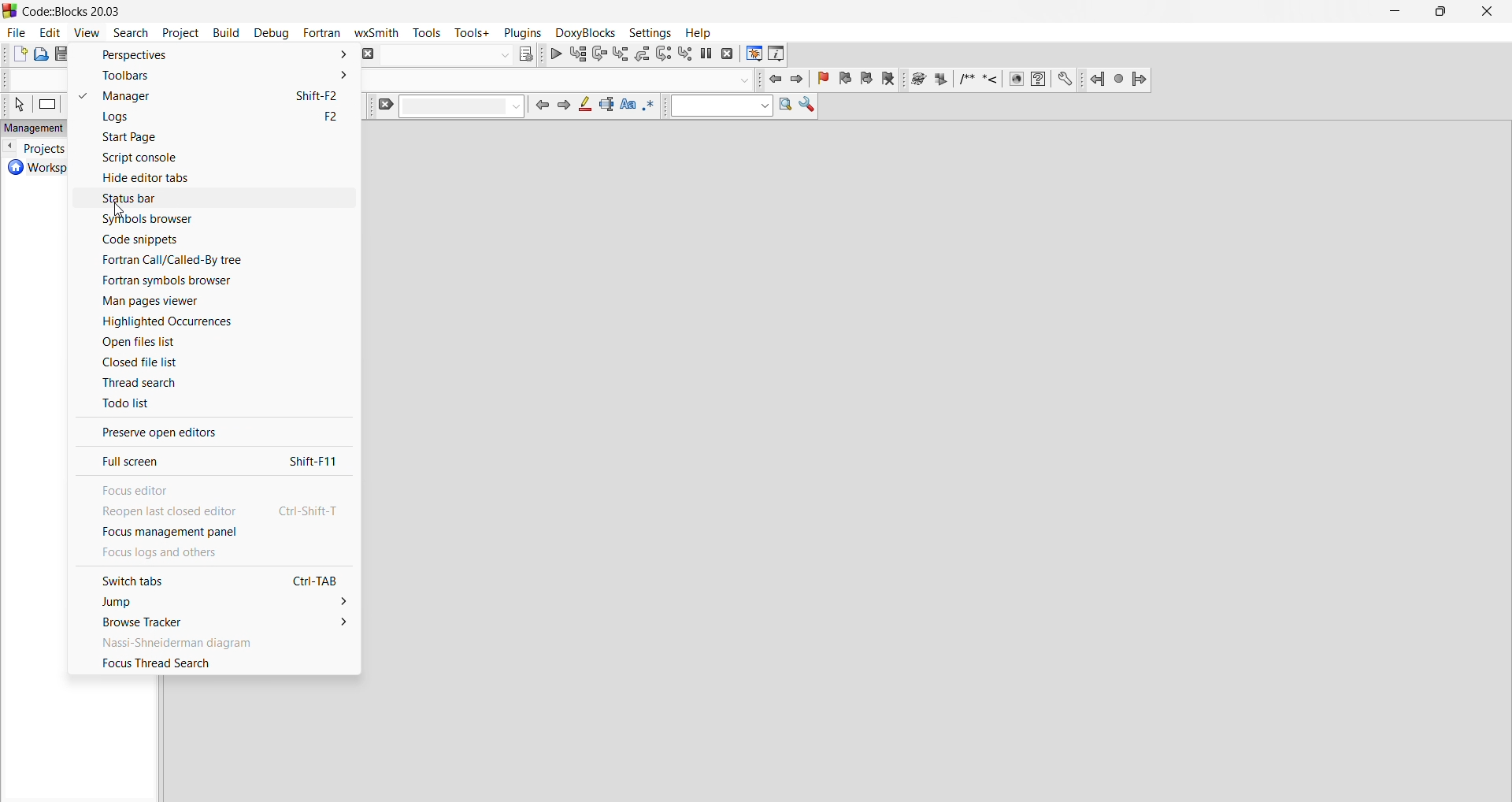 Image resolution: width=1512 pixels, height=802 pixels. What do you see at coordinates (18, 102) in the screenshot?
I see `select` at bounding box center [18, 102].